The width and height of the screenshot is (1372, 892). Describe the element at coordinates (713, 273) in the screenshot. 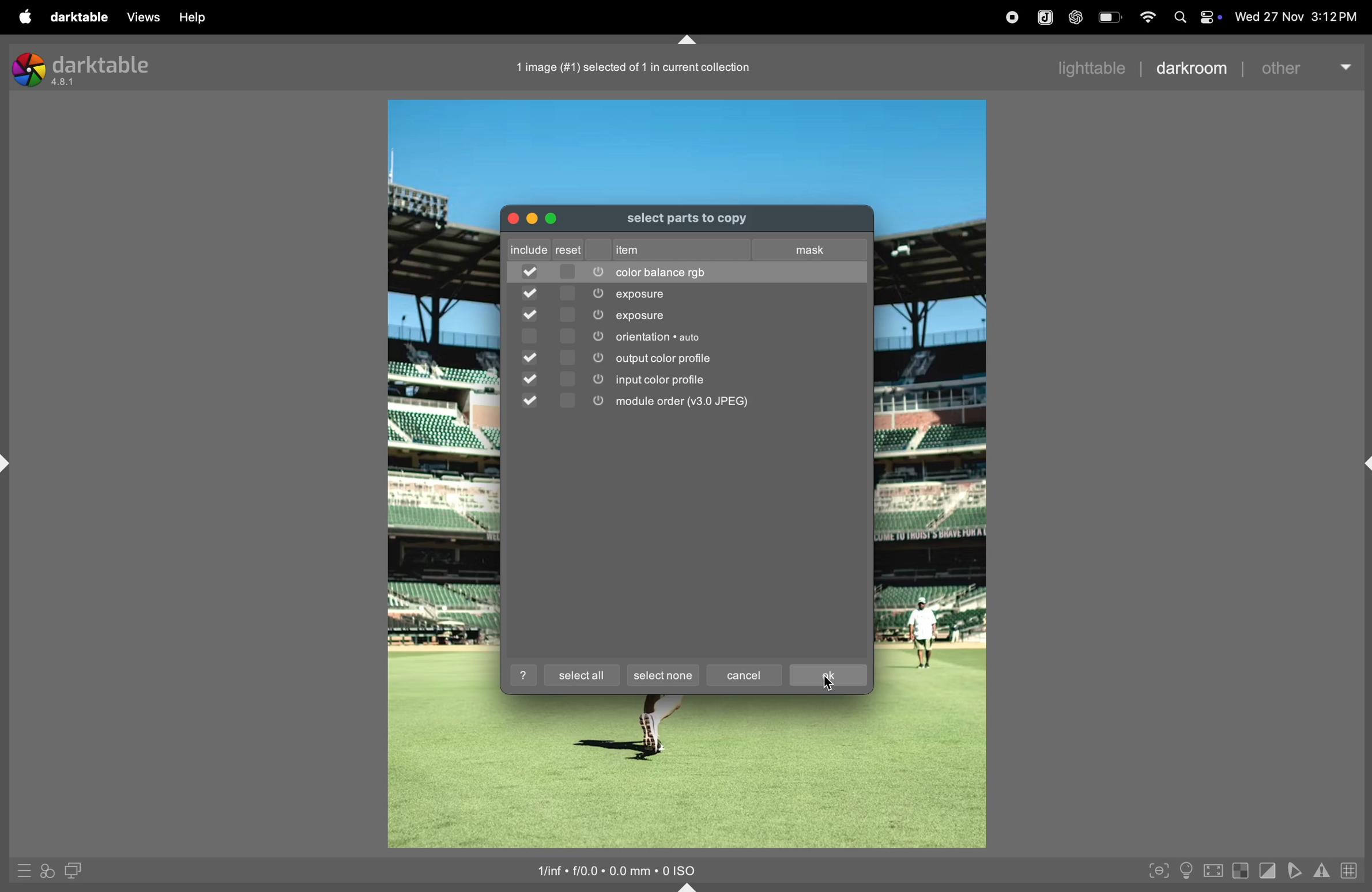

I see `color balance` at that location.